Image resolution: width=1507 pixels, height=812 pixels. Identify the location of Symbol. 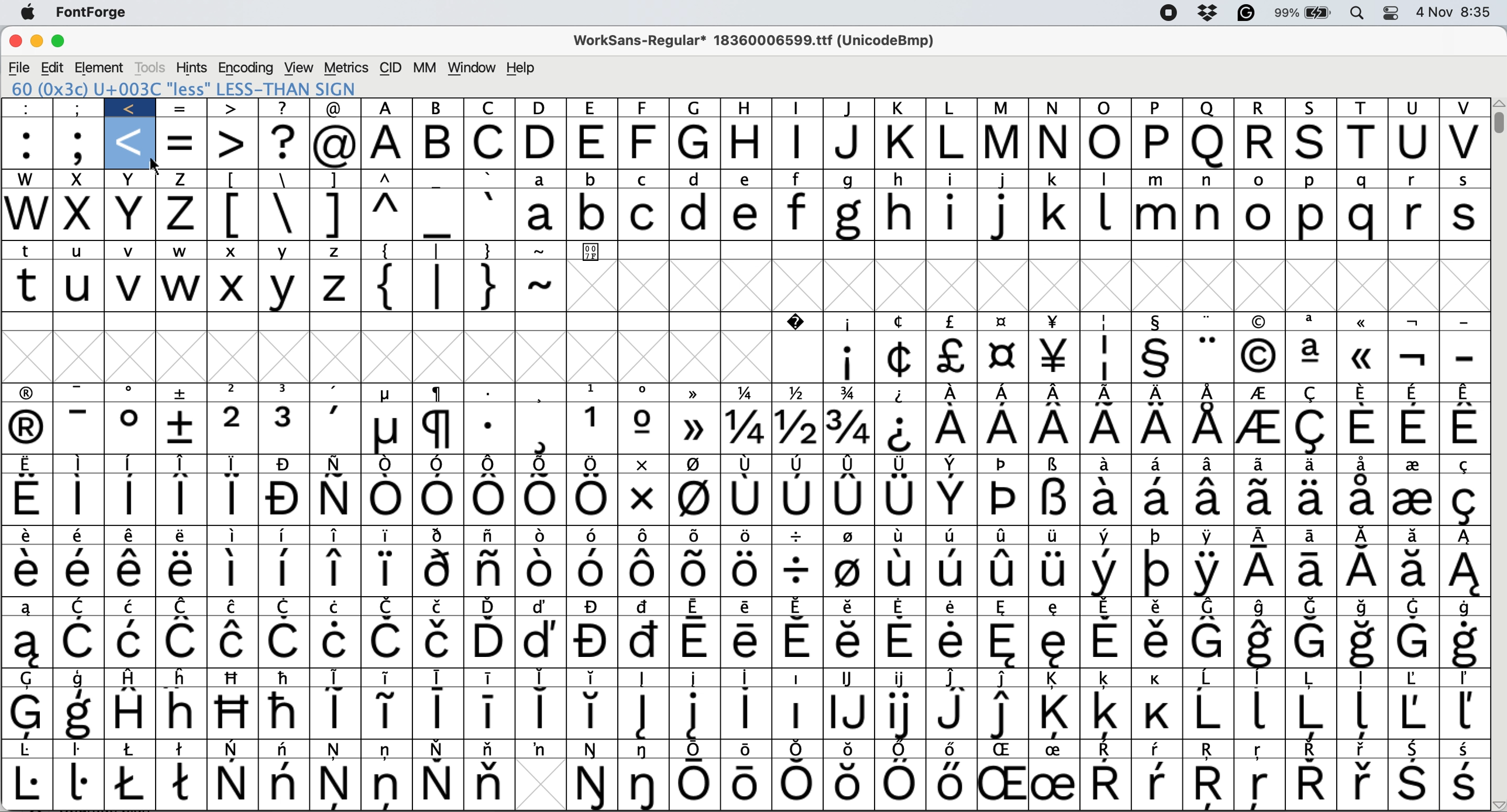
(1361, 500).